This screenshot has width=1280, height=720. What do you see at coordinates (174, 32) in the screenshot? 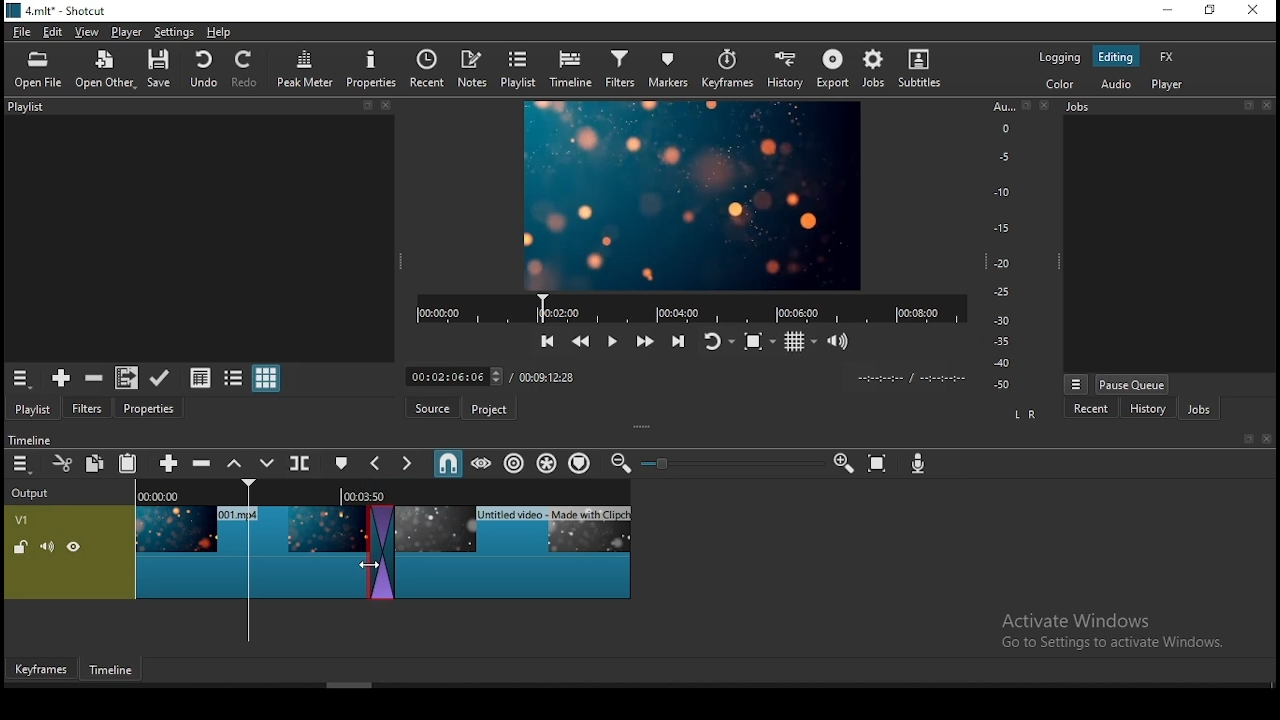
I see `settings` at bounding box center [174, 32].